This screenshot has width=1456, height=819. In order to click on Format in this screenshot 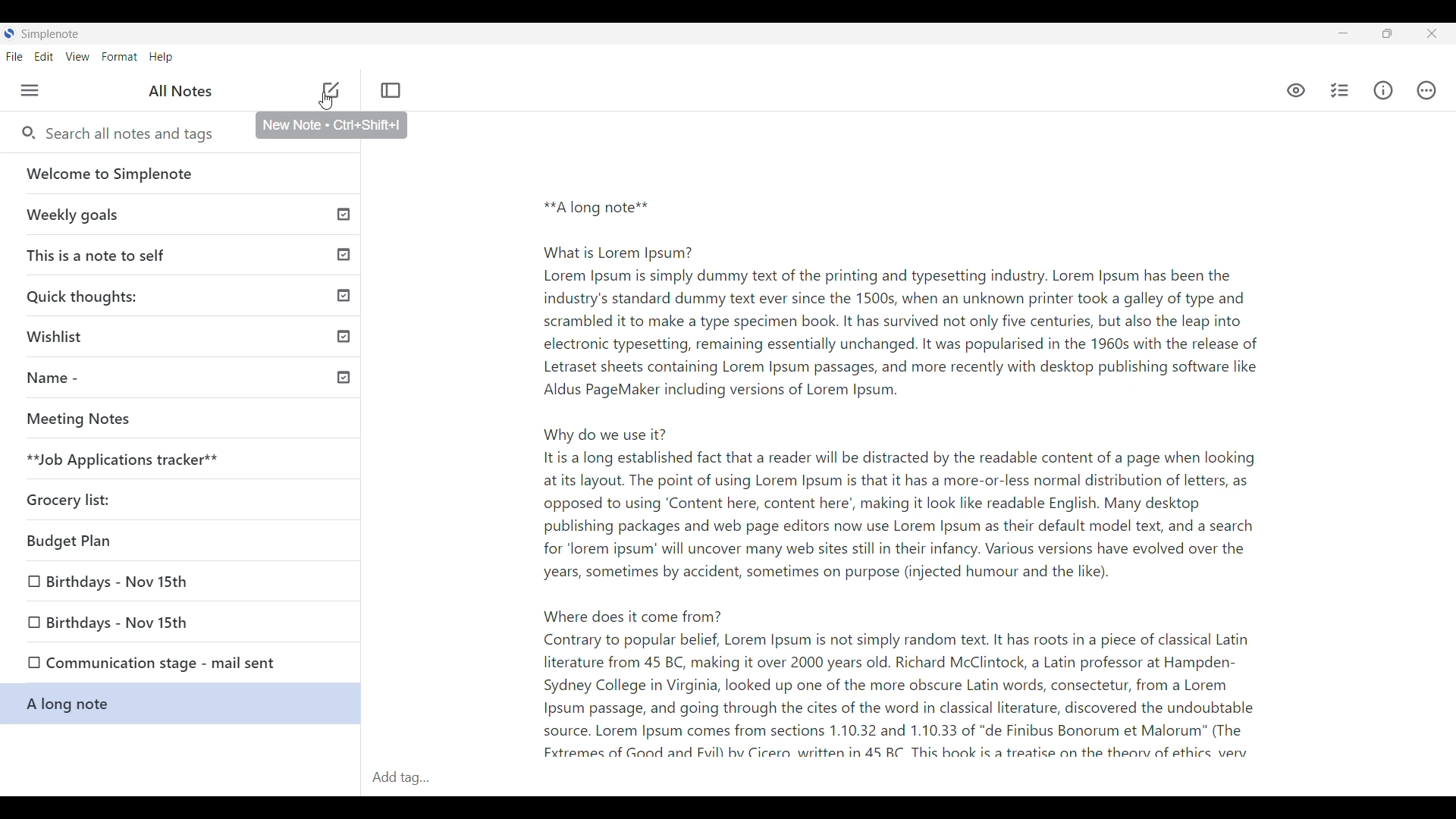, I will do `click(120, 57)`.